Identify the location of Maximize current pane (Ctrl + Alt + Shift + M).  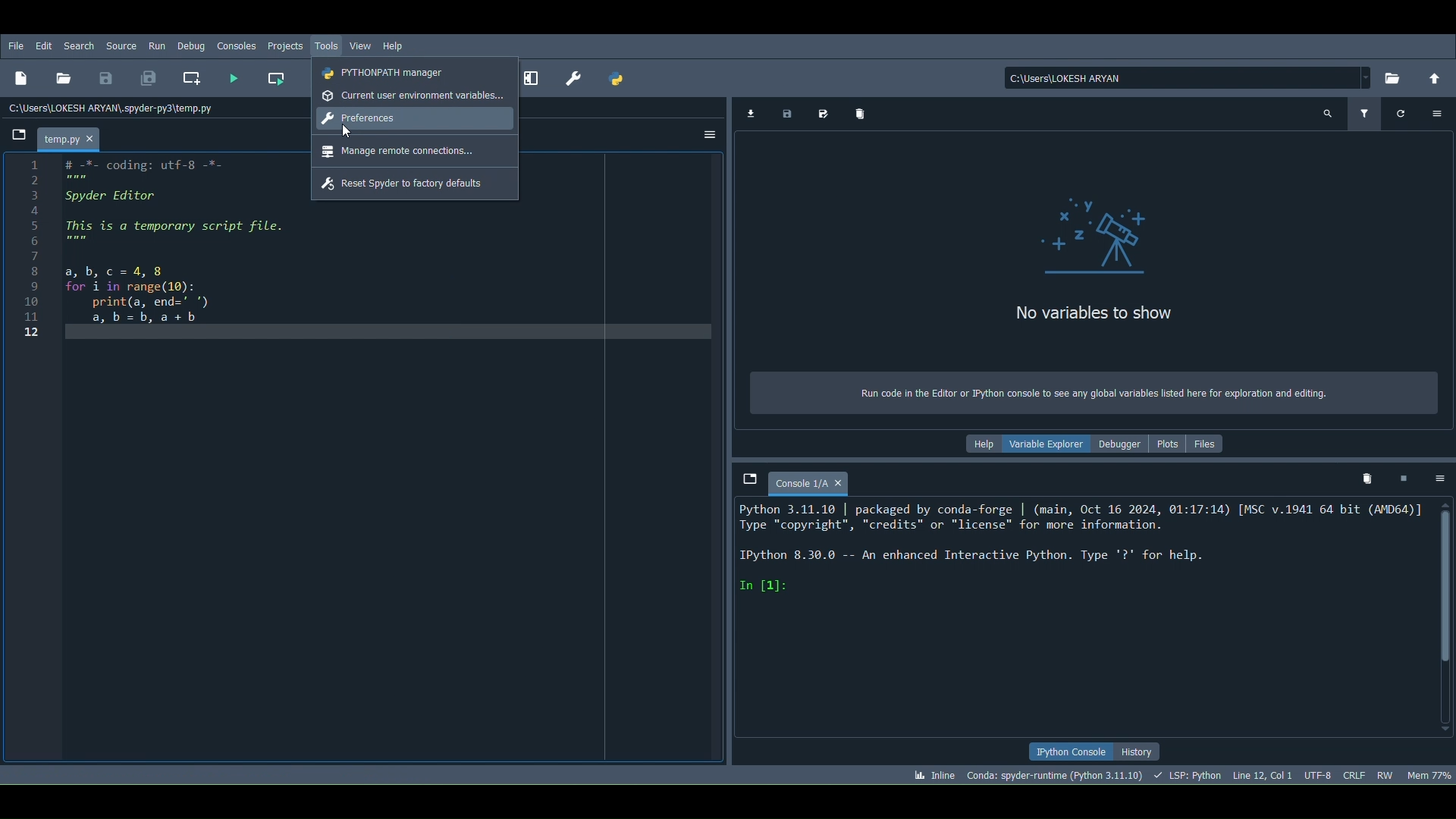
(532, 76).